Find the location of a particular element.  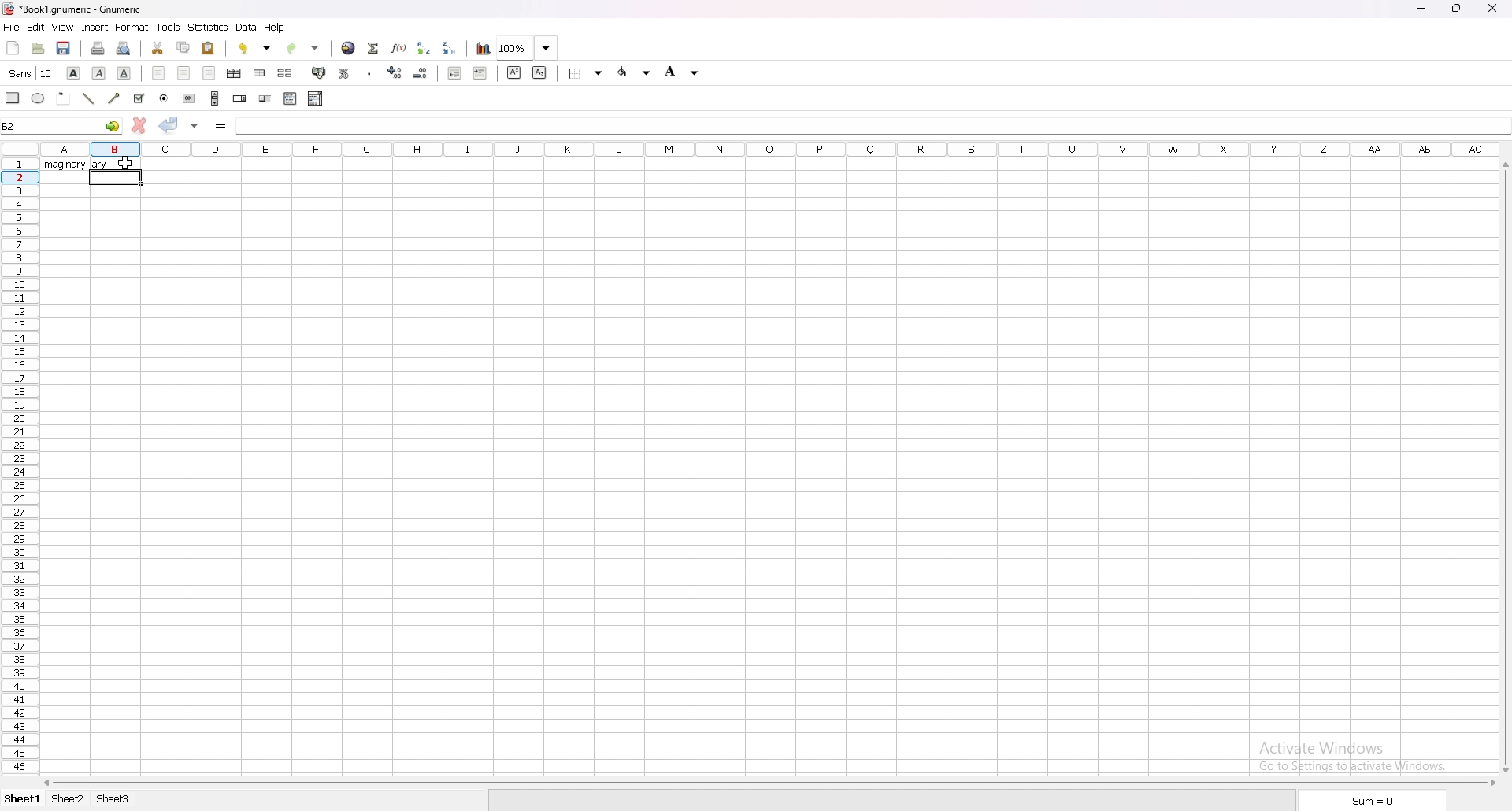

decrease indent is located at coordinates (454, 74).